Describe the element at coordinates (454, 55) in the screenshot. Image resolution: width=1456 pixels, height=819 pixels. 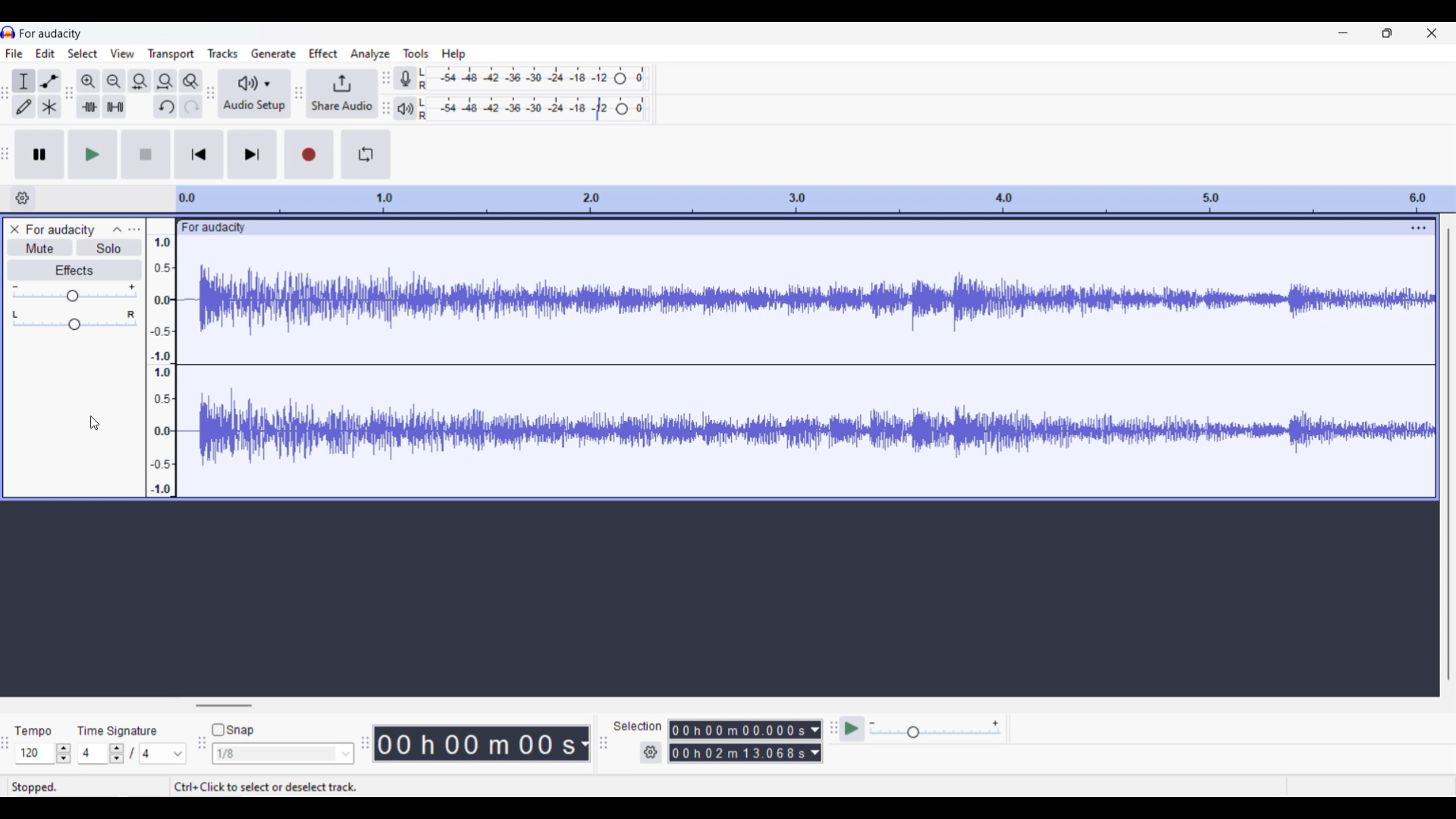
I see `Help` at that location.